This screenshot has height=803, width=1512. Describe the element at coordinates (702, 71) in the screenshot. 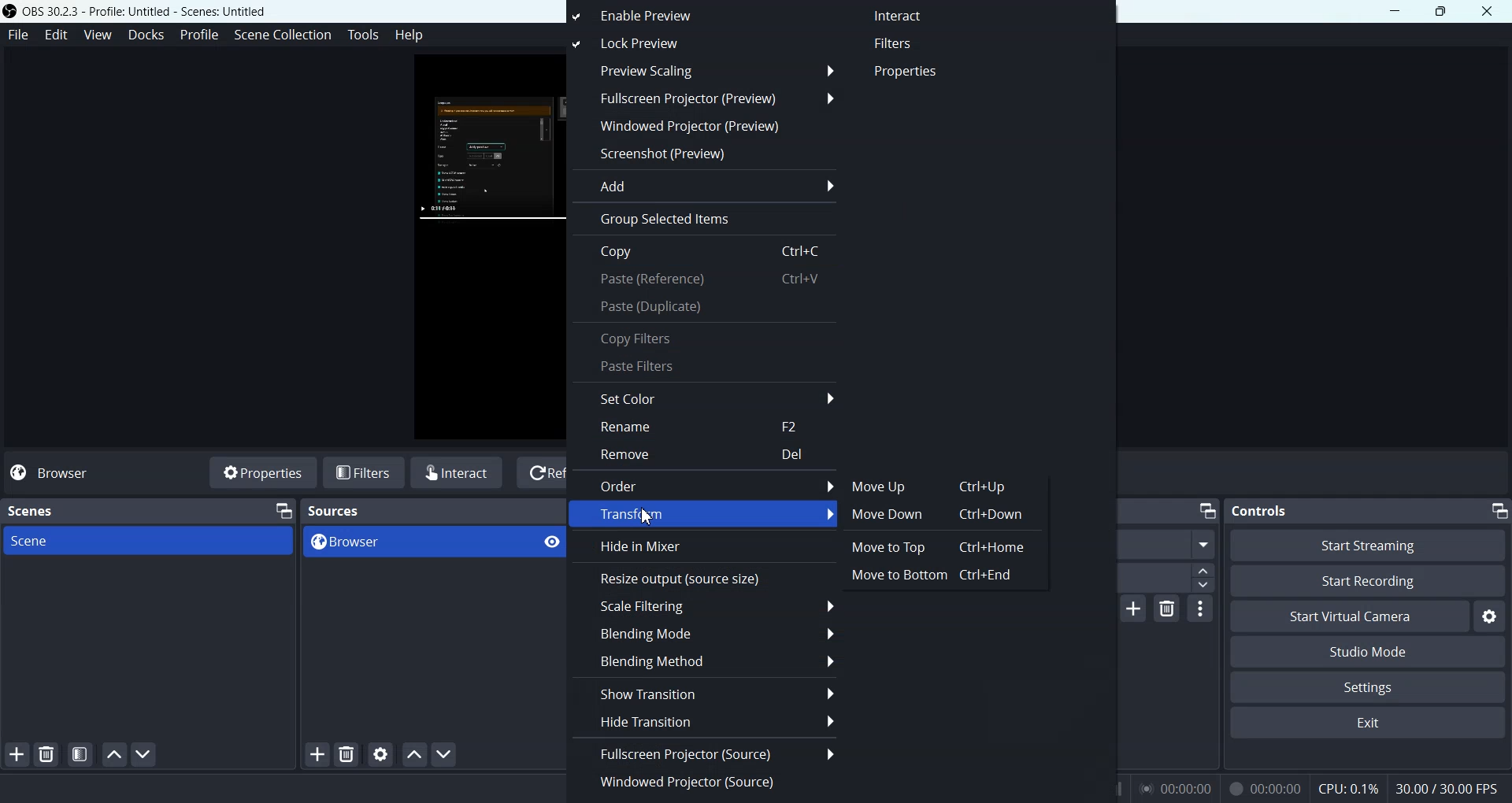

I see `Preview Scaling` at that location.